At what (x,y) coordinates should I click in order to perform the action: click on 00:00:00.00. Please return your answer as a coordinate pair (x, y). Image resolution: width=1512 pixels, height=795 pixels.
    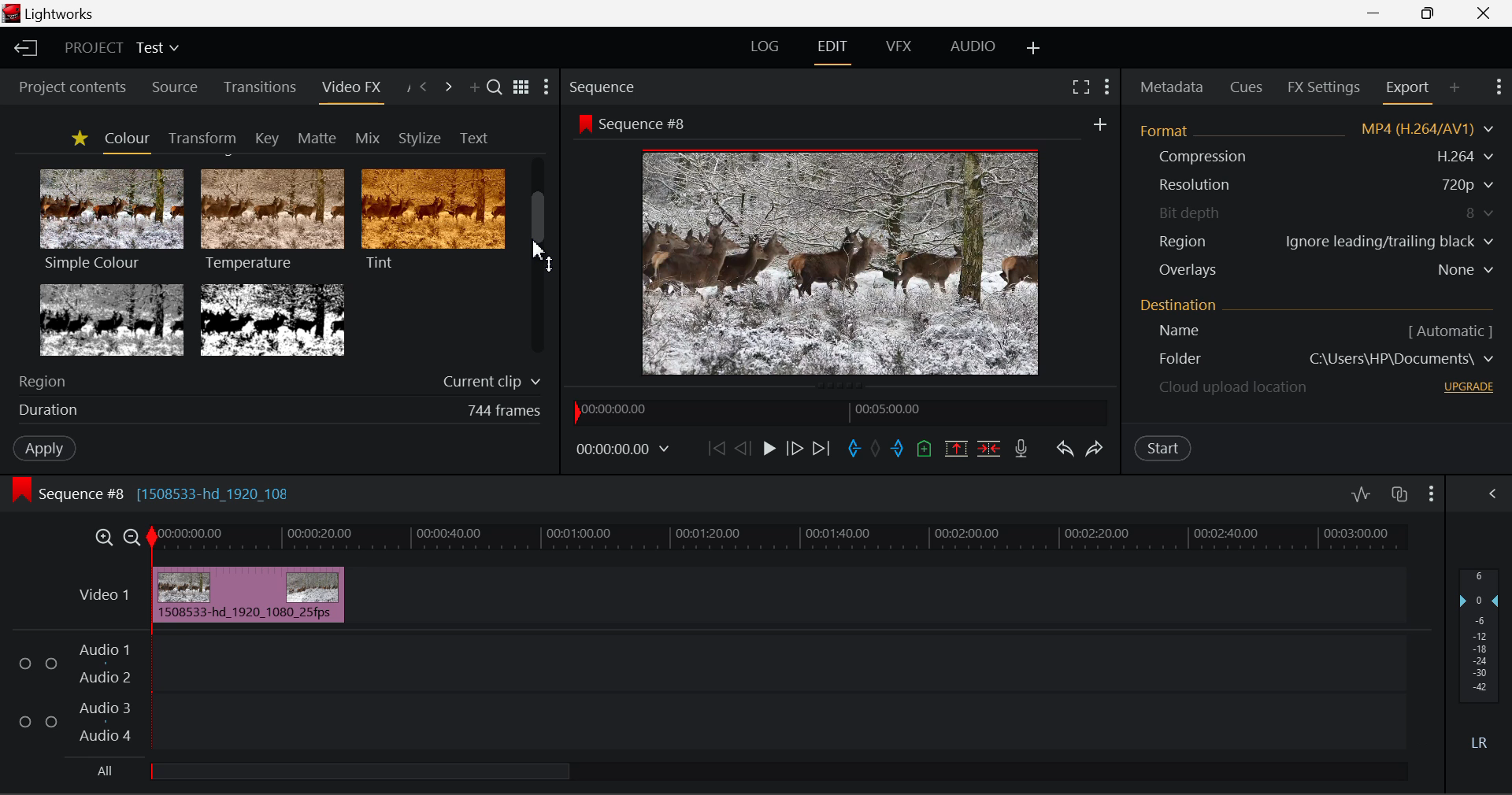
    Looking at the image, I should click on (617, 410).